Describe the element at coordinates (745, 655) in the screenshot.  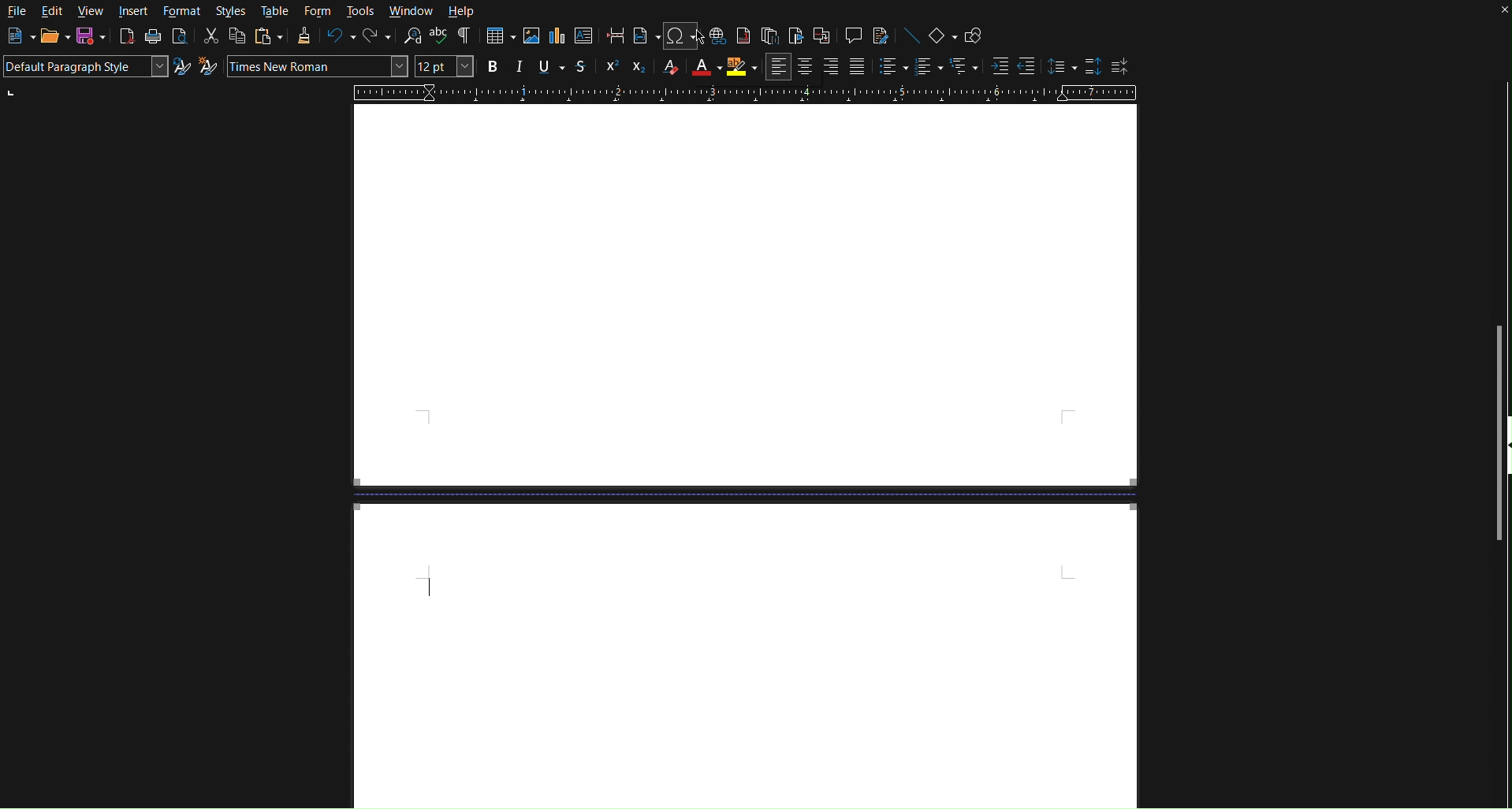
I see `Page 2` at that location.